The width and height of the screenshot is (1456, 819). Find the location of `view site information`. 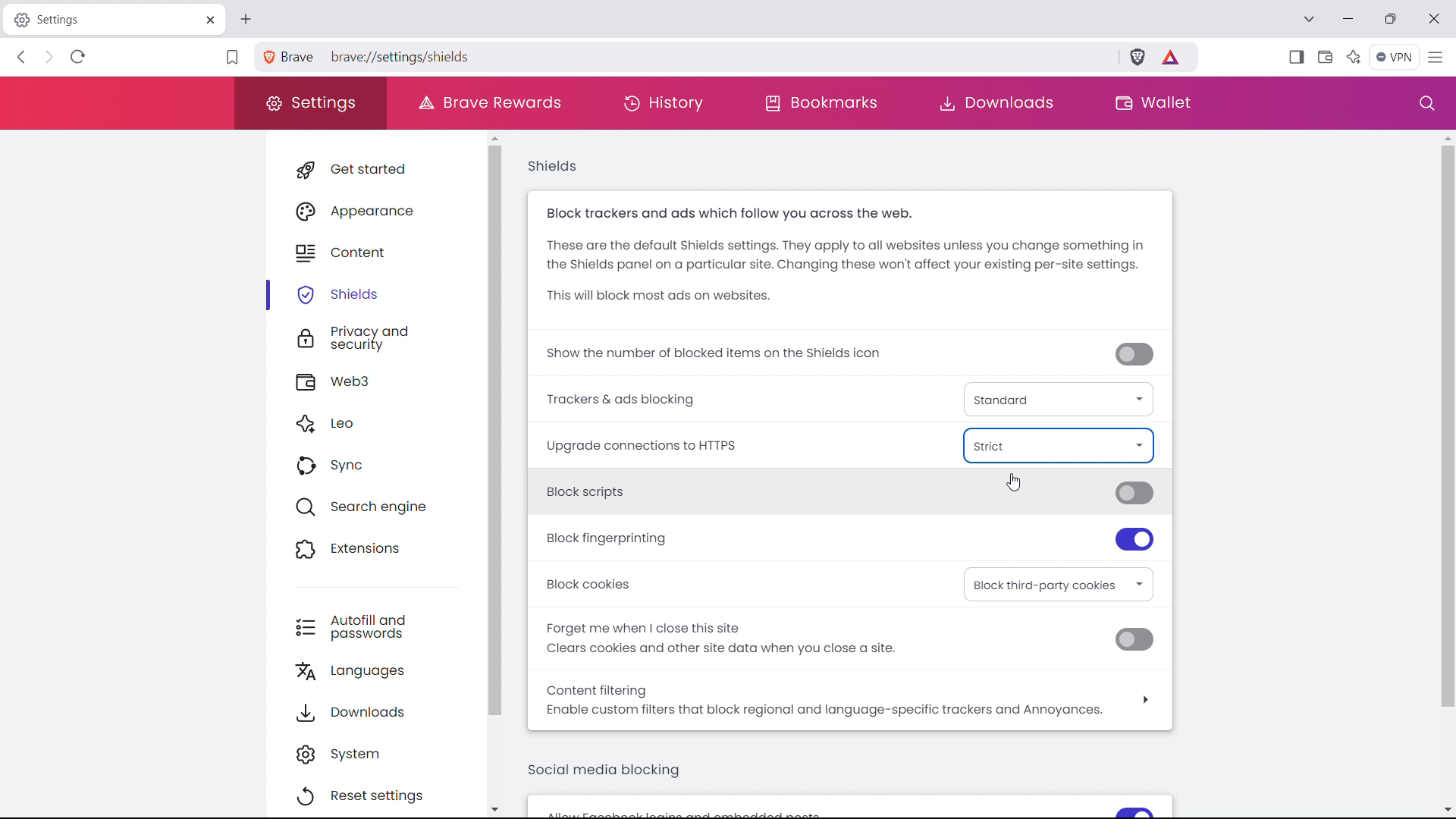

view site information is located at coordinates (268, 57).